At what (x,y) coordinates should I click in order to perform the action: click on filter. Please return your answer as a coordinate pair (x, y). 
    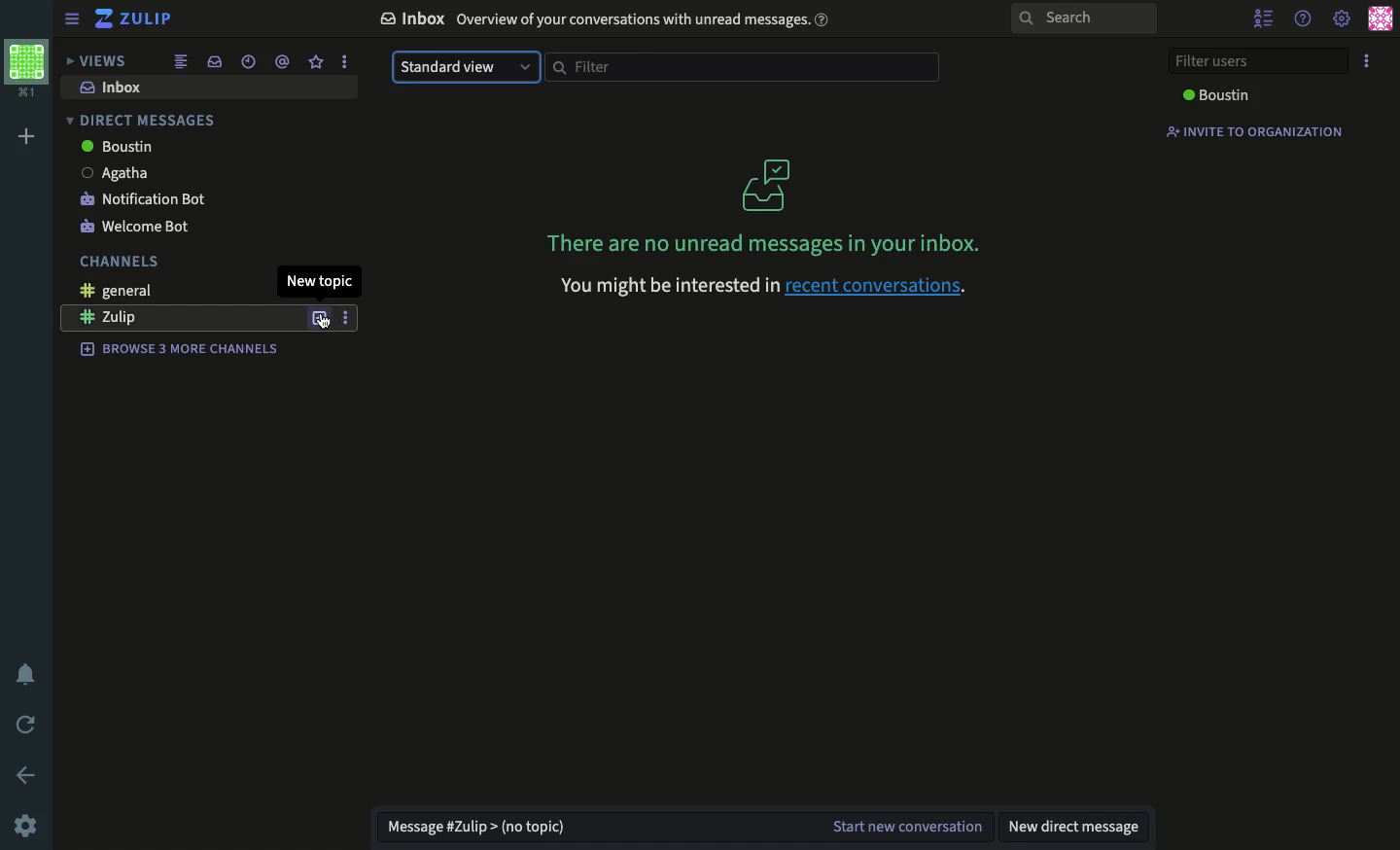
    Looking at the image, I should click on (738, 67).